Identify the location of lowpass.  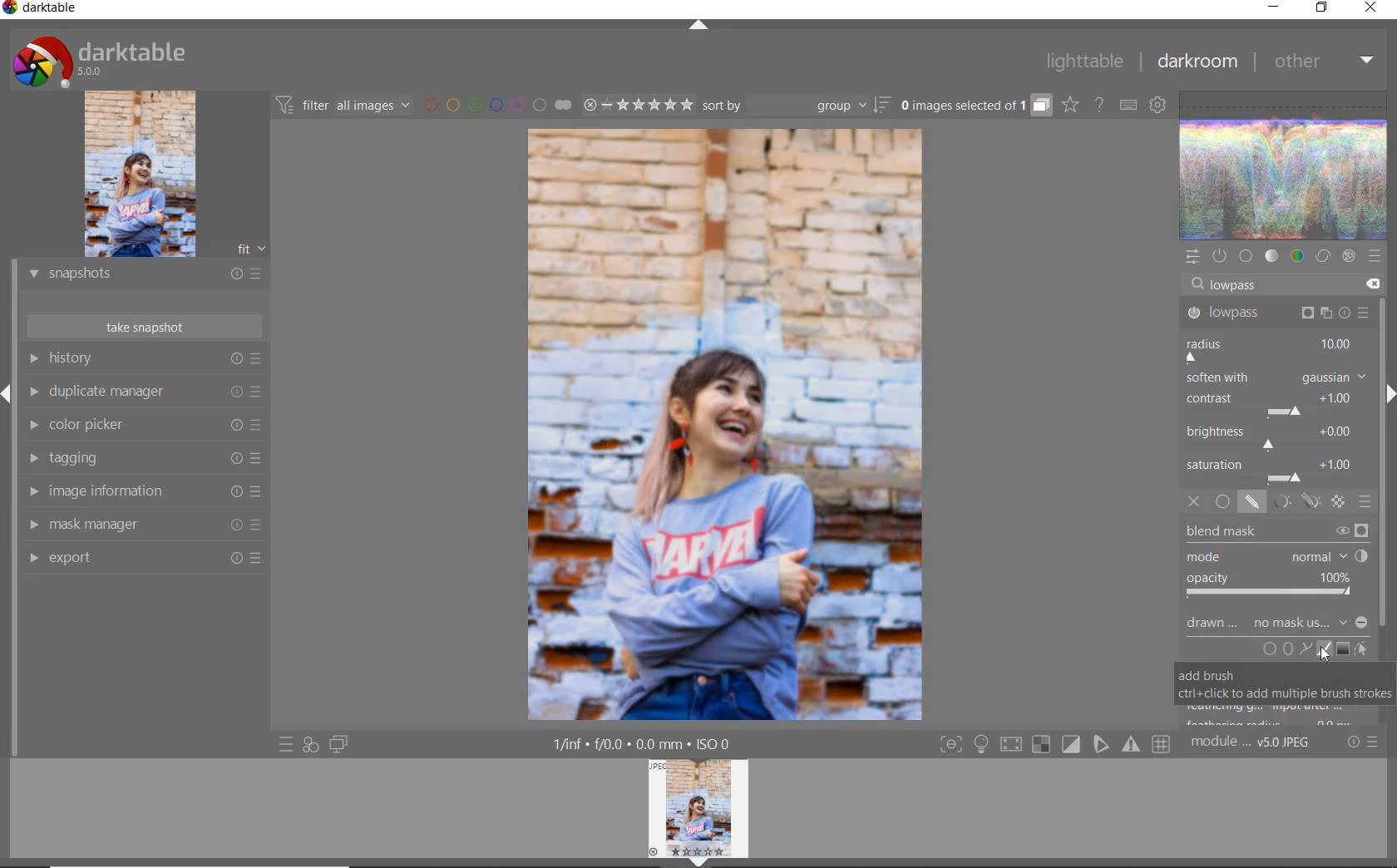
(1276, 313).